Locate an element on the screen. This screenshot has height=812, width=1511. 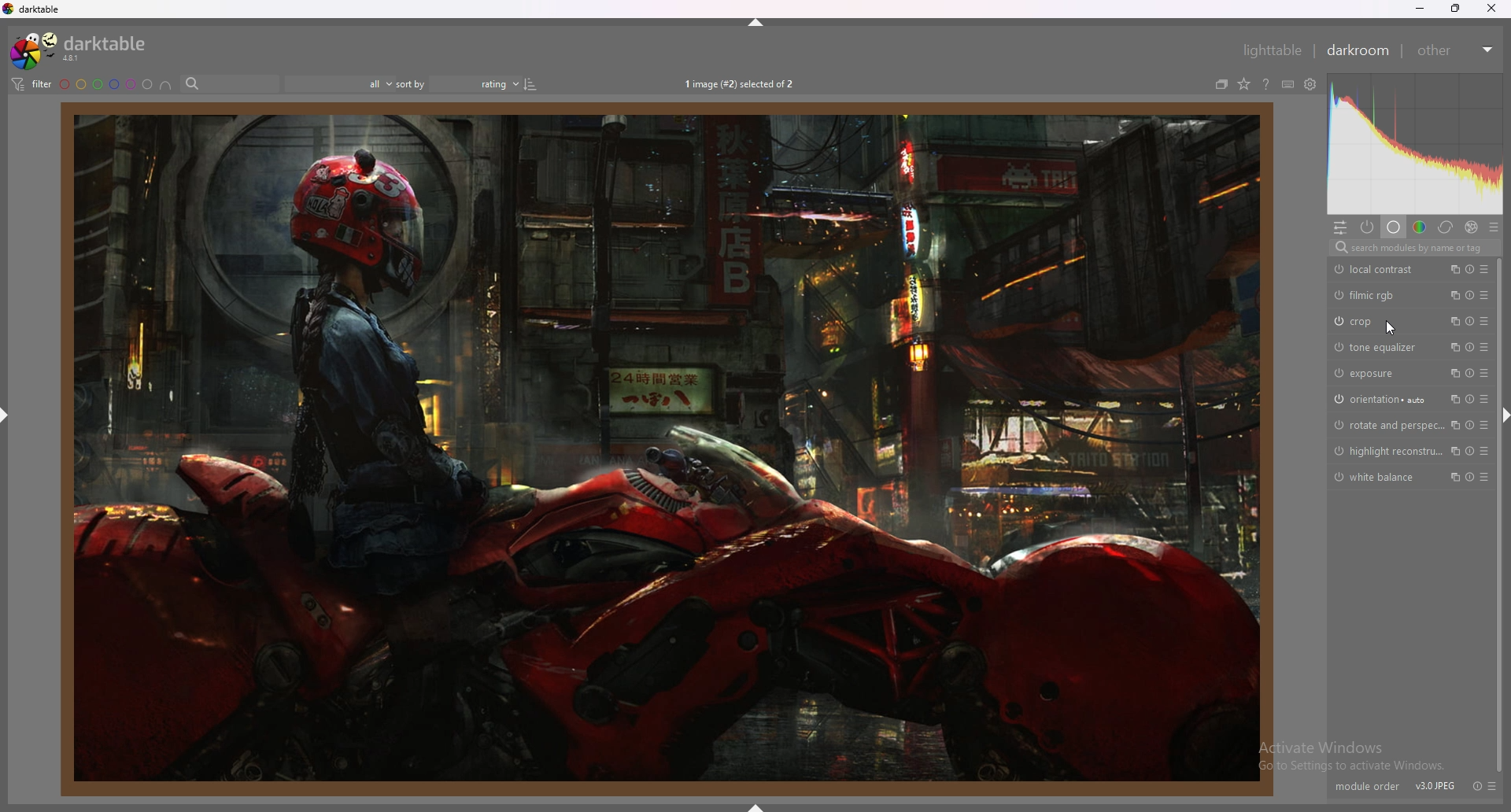
shortcuts is located at coordinates (1288, 84).